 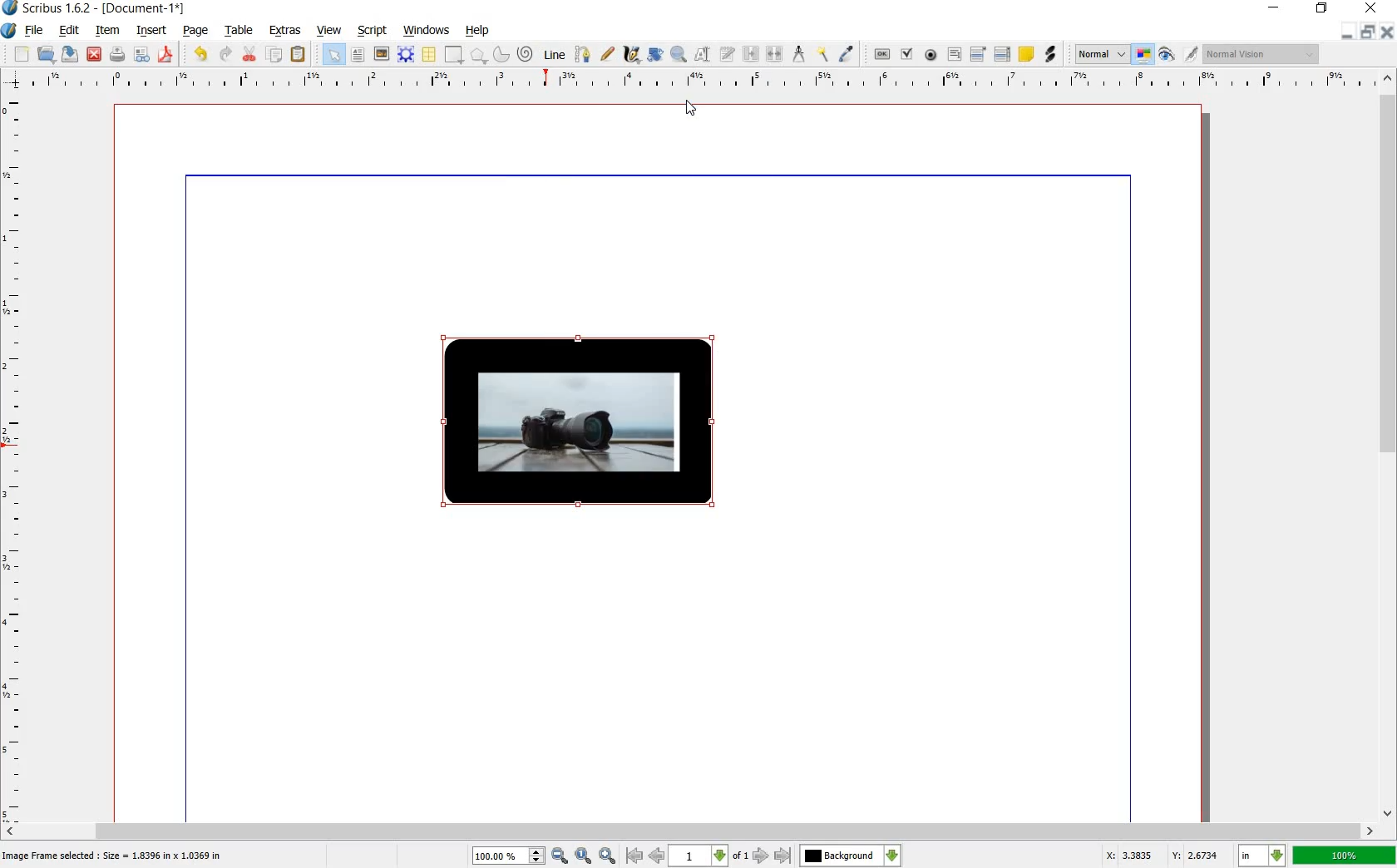 I want to click on Image inserted in the rectangle frame, so click(x=576, y=422).